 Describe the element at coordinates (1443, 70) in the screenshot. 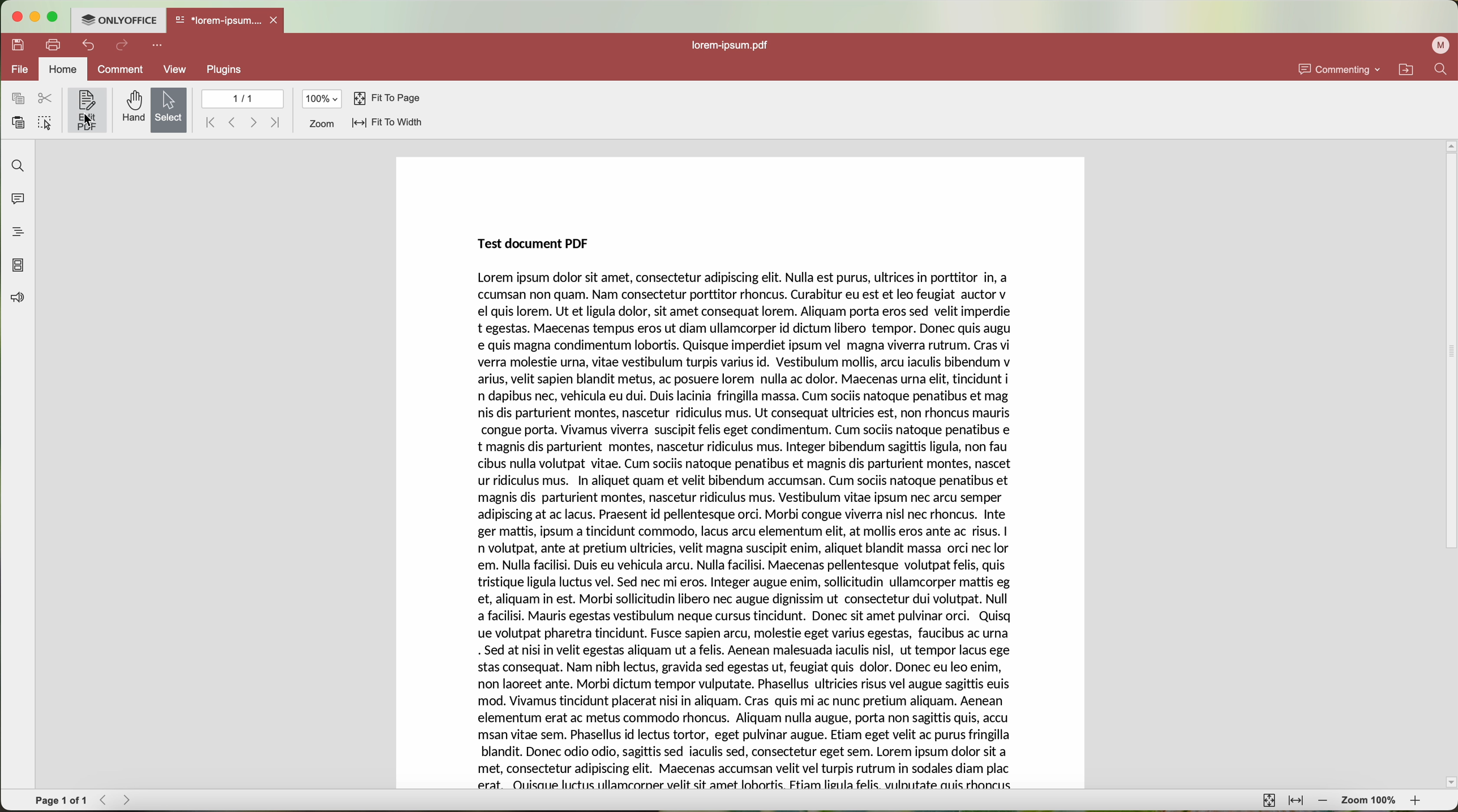

I see `find` at that location.